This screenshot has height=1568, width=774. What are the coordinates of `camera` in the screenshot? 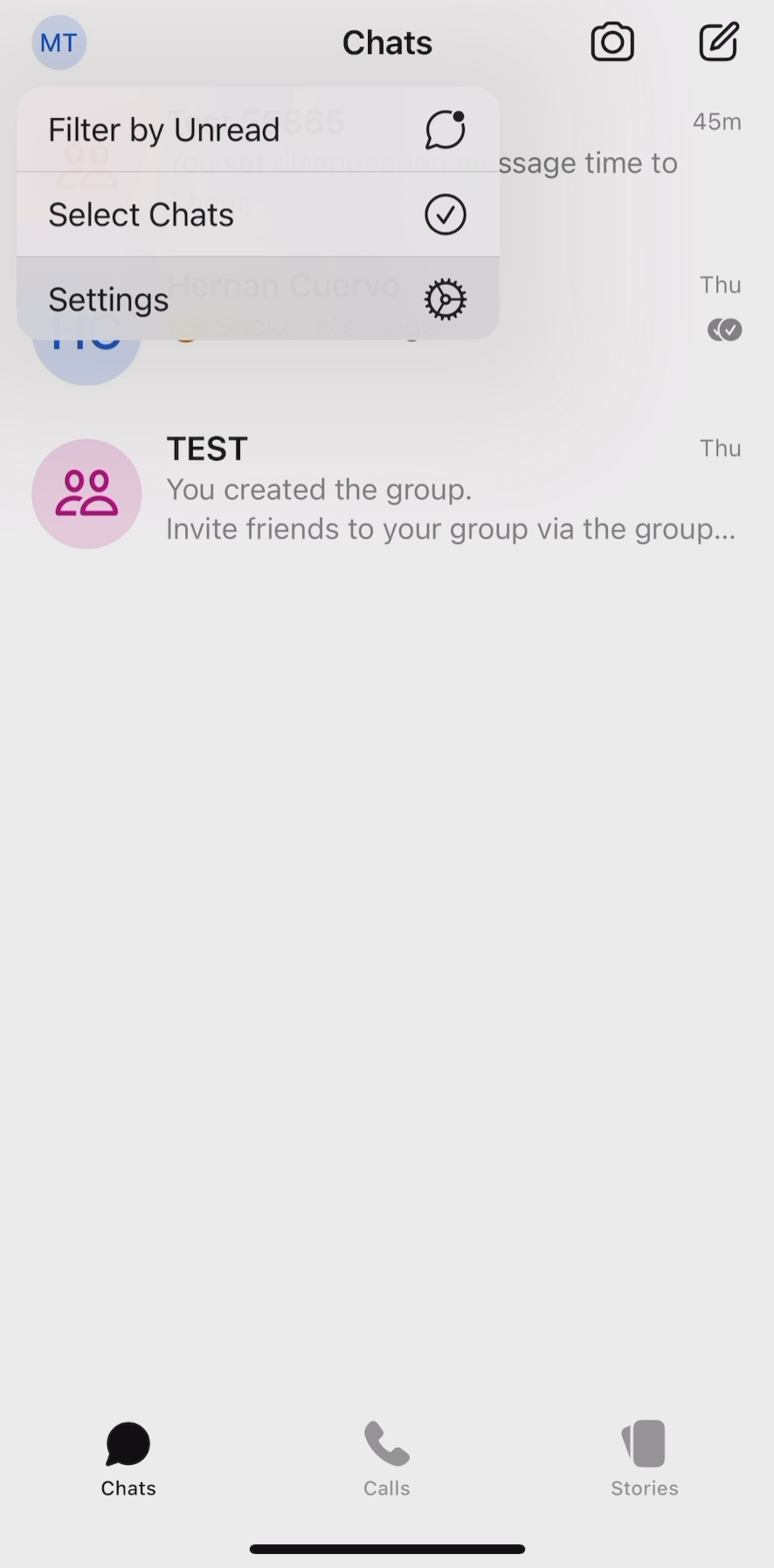 It's located at (612, 40).